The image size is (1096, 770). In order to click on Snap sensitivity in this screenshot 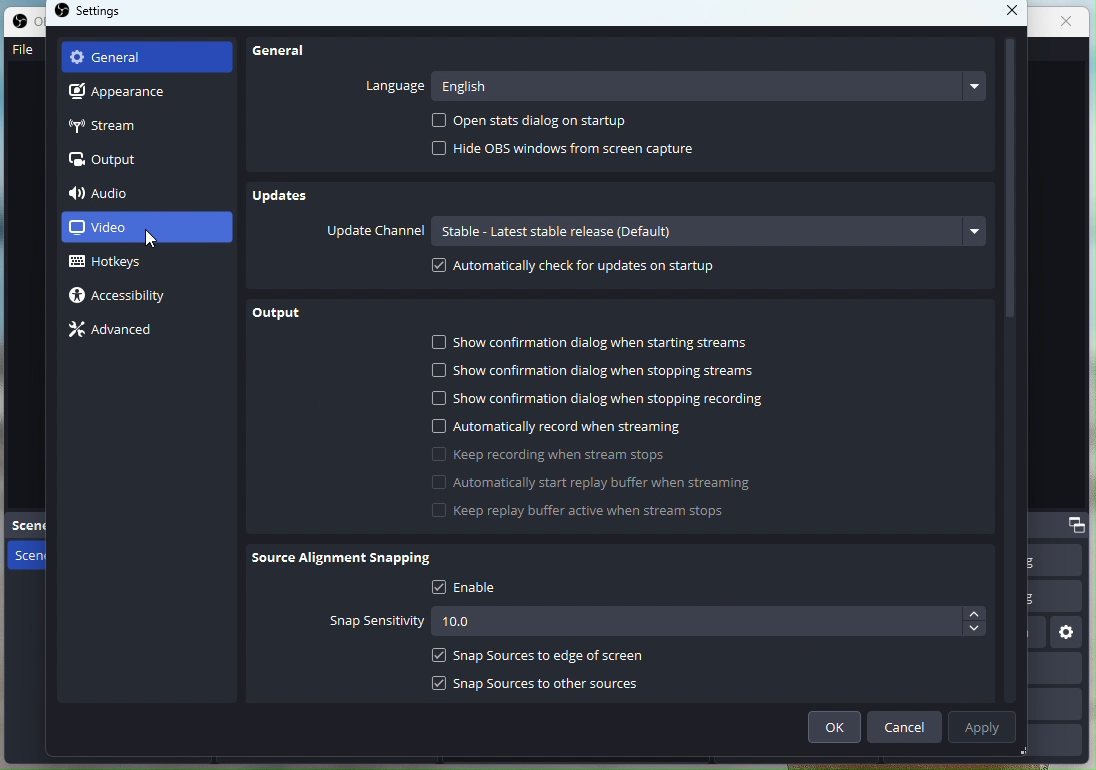, I will do `click(374, 620)`.